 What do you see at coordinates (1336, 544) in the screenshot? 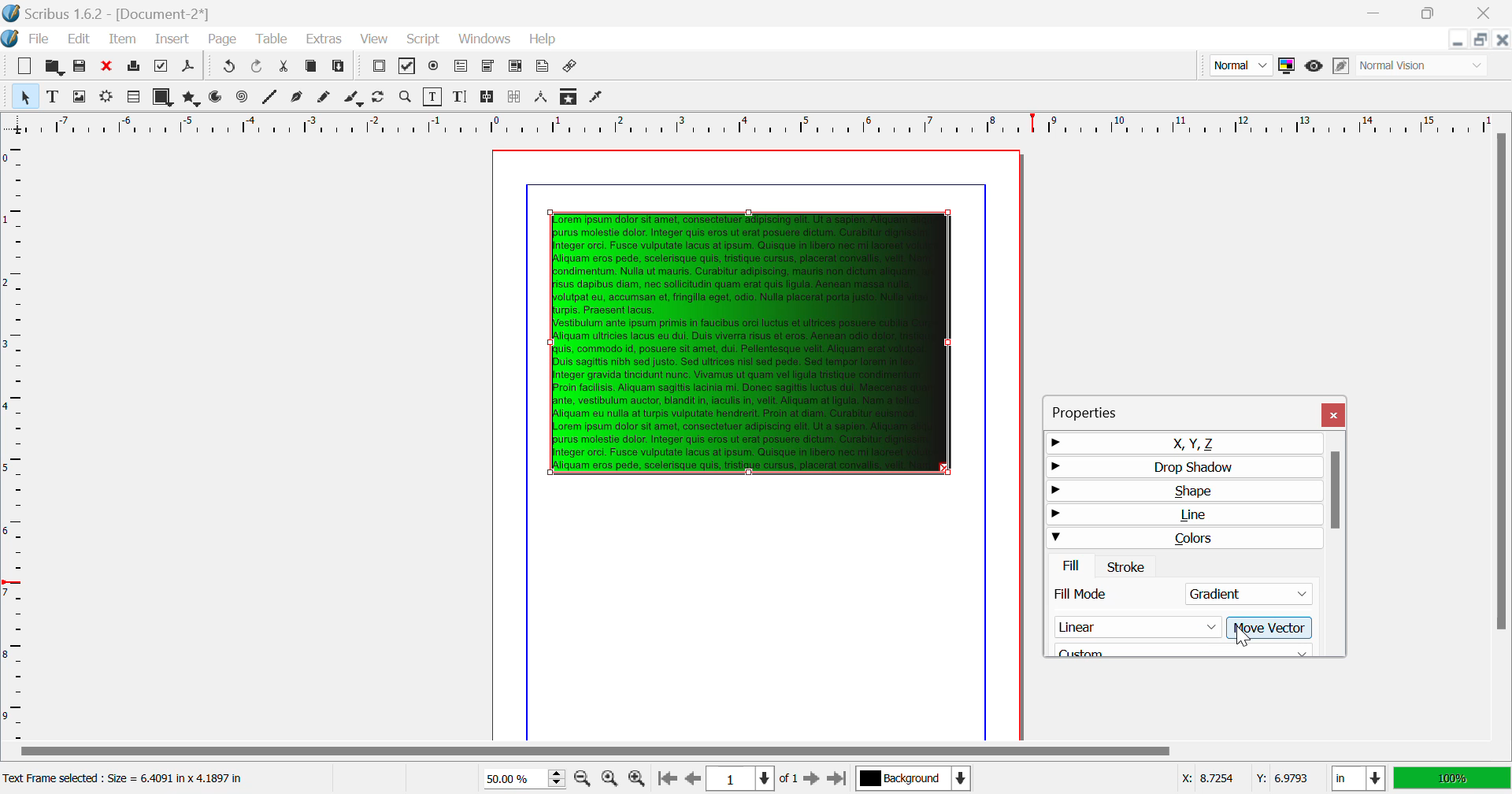
I see `Scroll Bar` at bounding box center [1336, 544].